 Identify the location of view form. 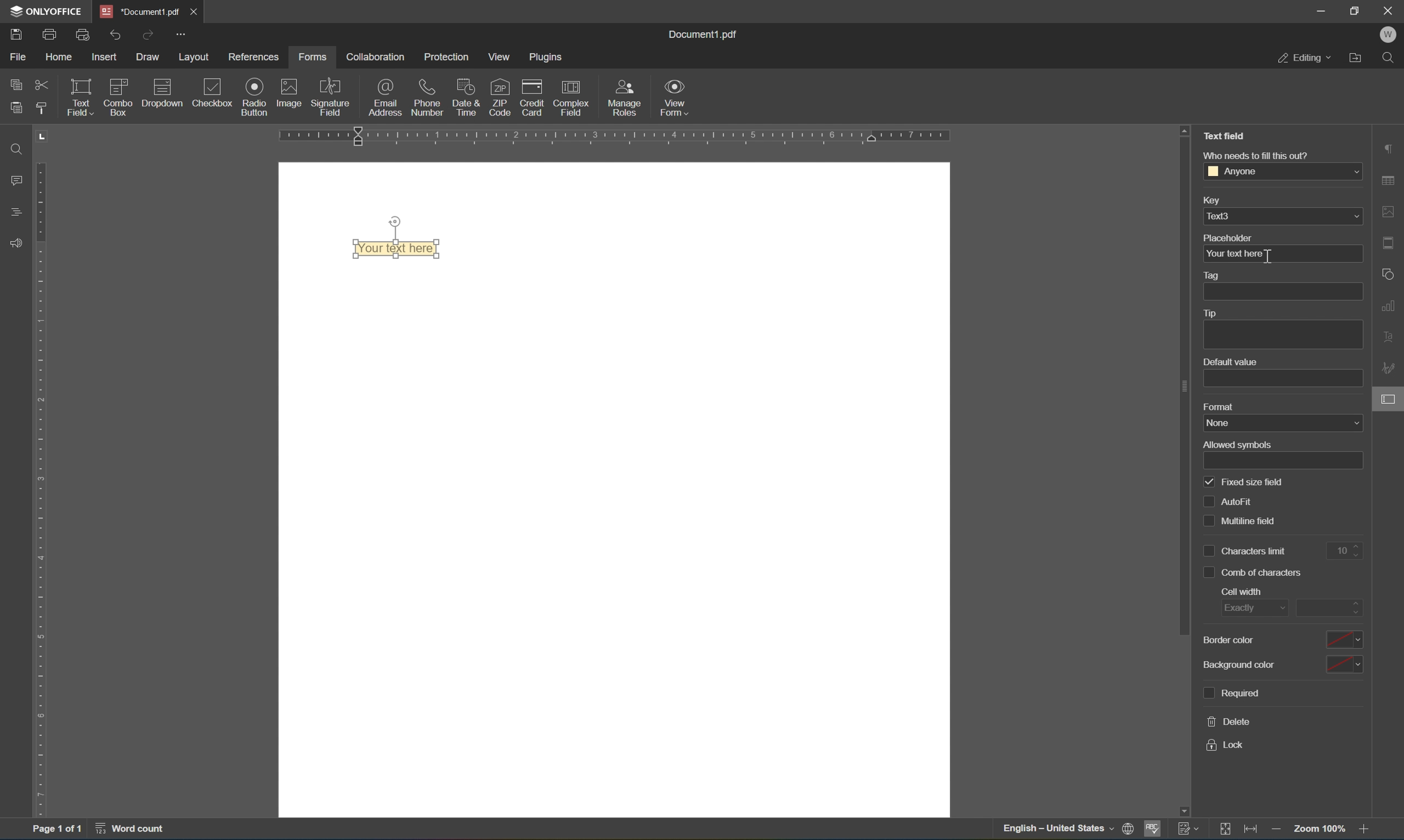
(673, 96).